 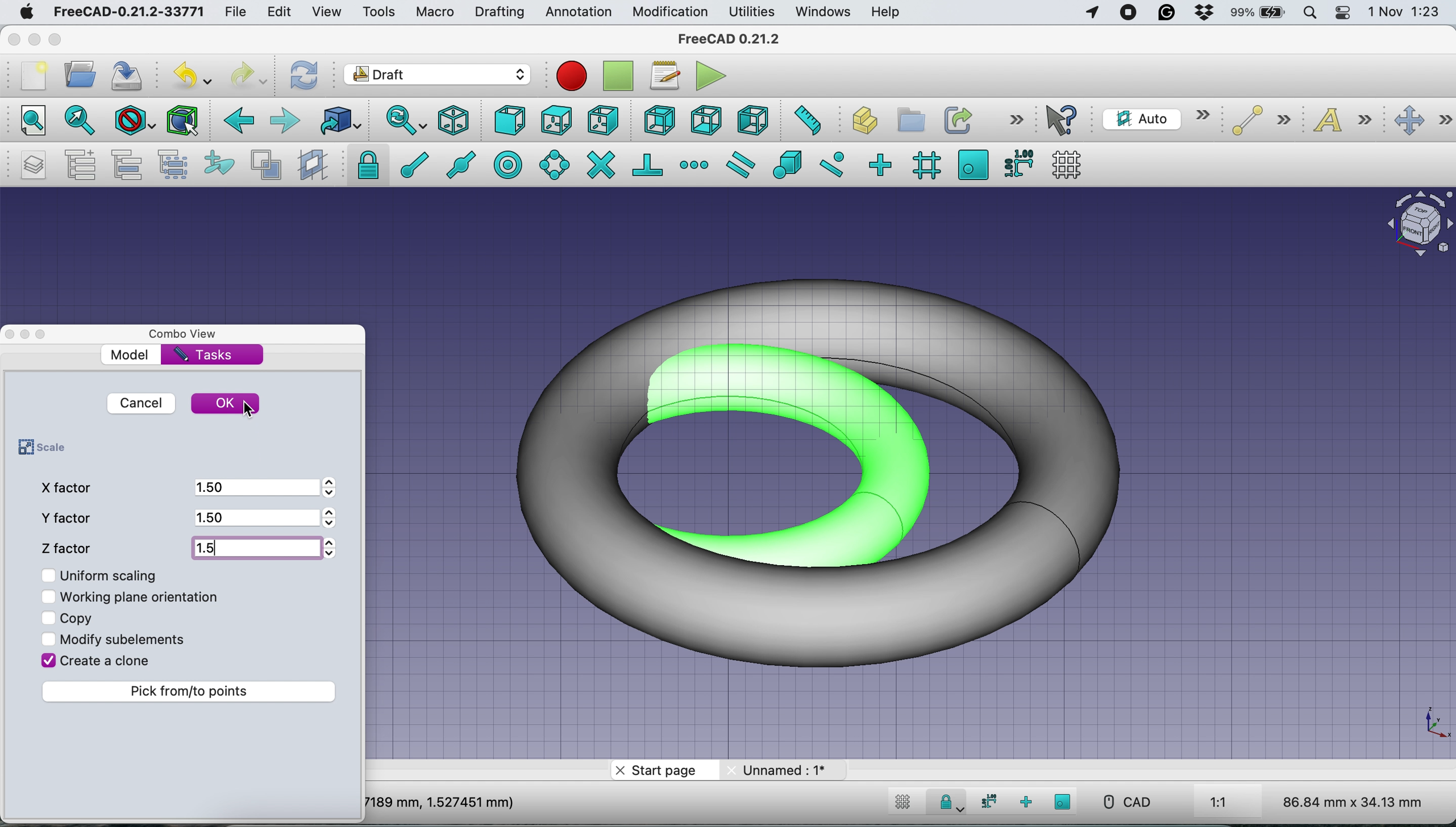 I want to click on uniform scaling, so click(x=113, y=575).